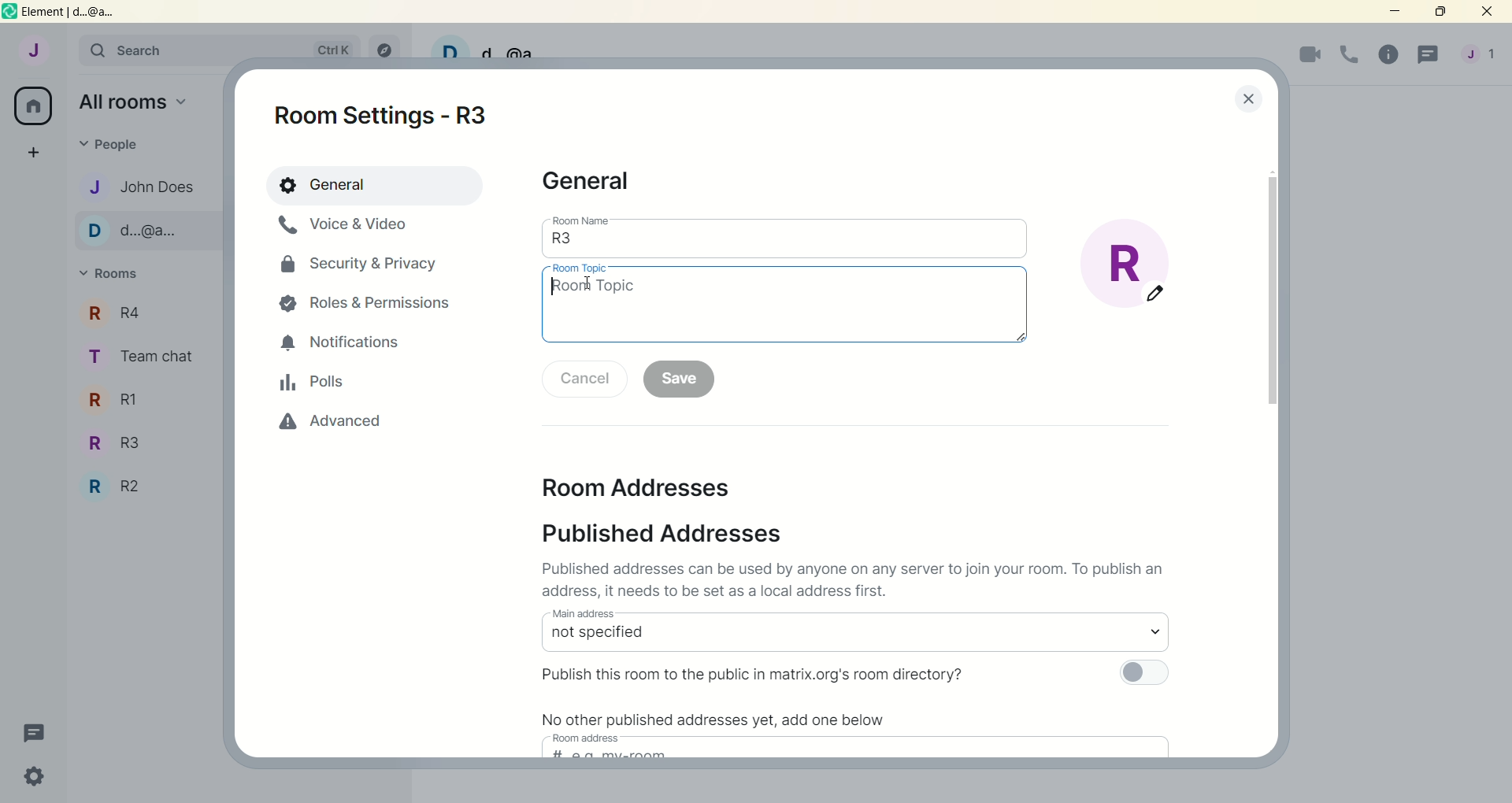  I want to click on Publish this room to the public in matrix.org's room directory?, so click(753, 675).